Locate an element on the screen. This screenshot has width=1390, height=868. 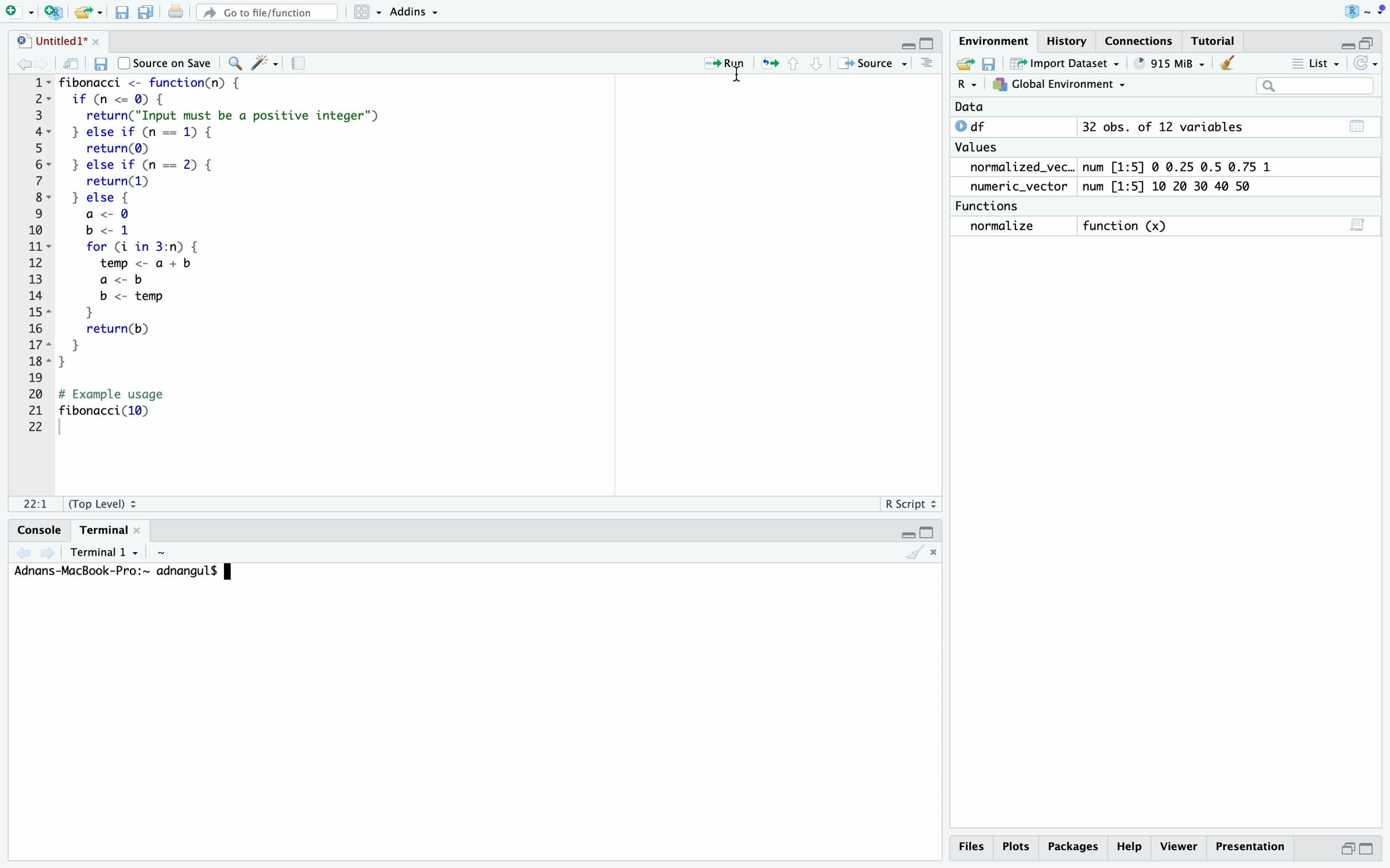
addins is located at coordinates (416, 12).